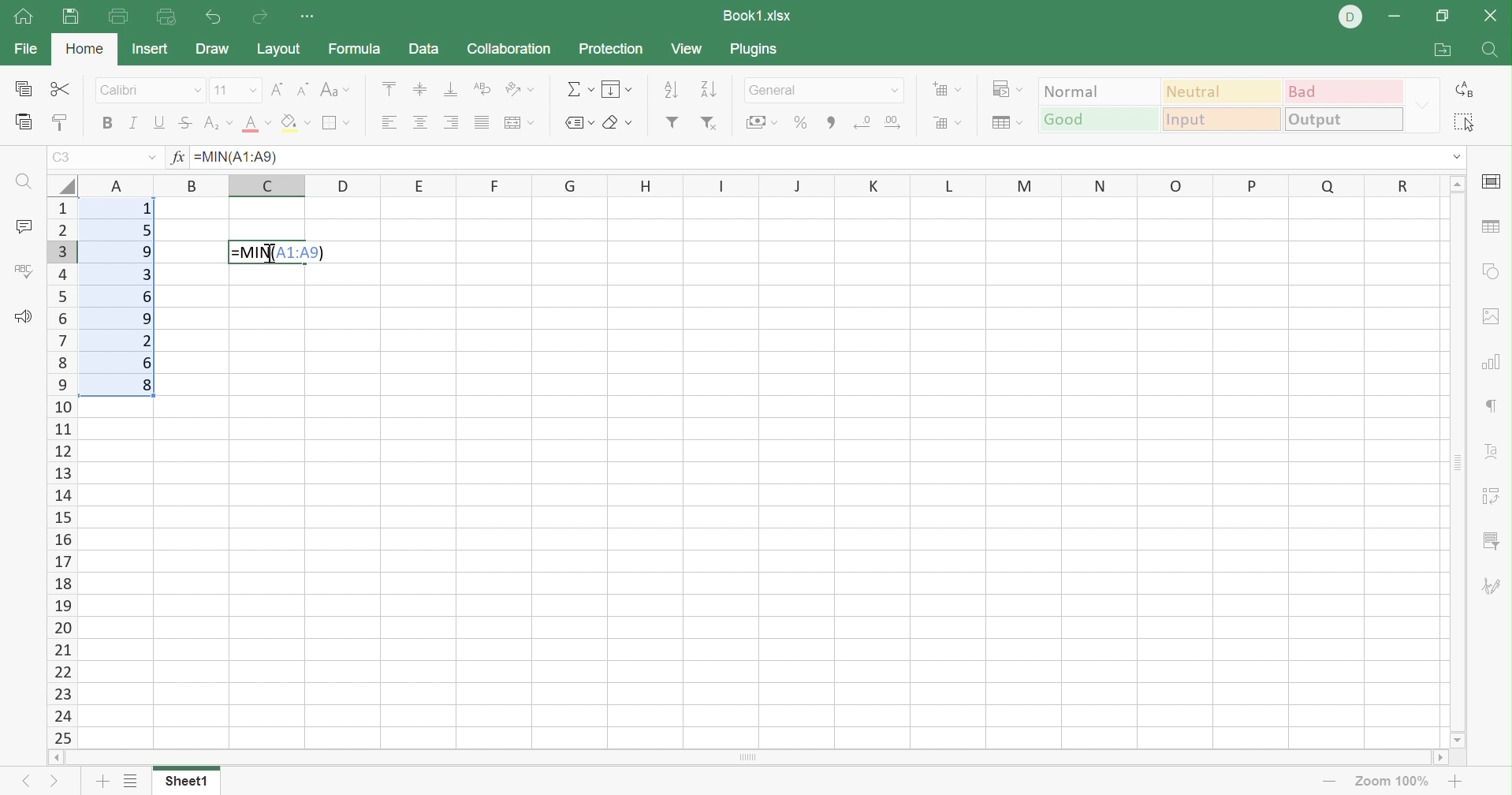 The width and height of the screenshot is (1512, 795). I want to click on Draw, so click(212, 51).